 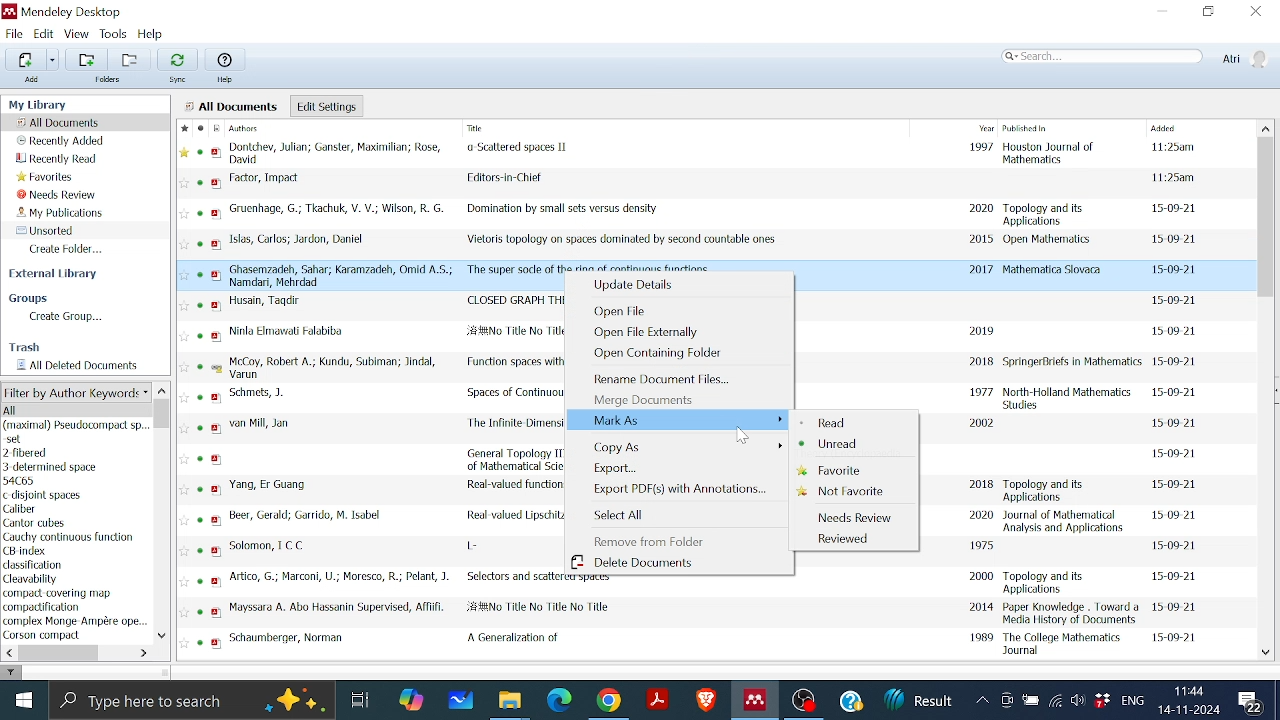 What do you see at coordinates (1075, 424) in the screenshot?
I see `document` at bounding box center [1075, 424].